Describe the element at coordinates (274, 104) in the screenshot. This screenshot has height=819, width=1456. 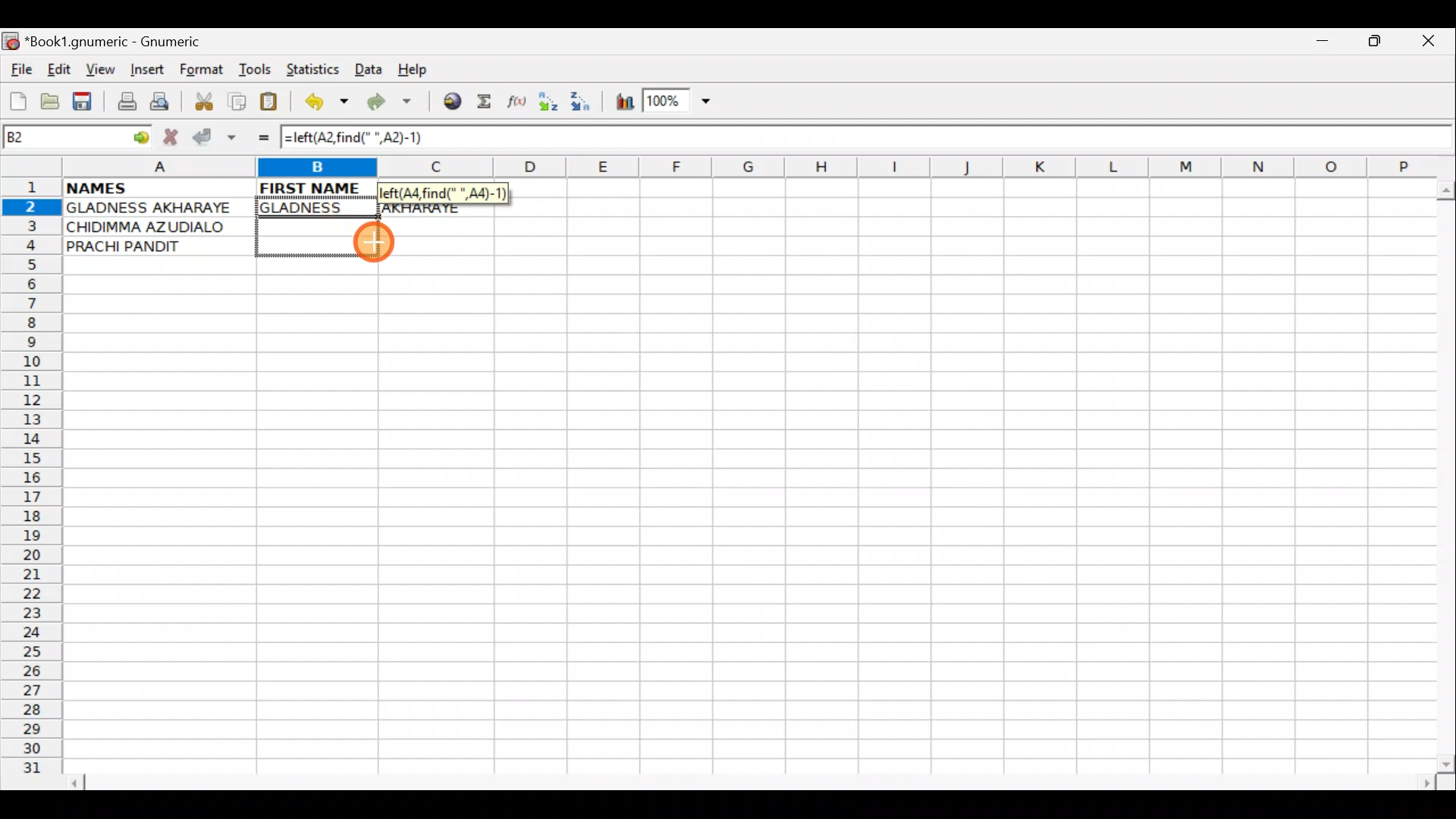
I see `Paste clipboard` at that location.